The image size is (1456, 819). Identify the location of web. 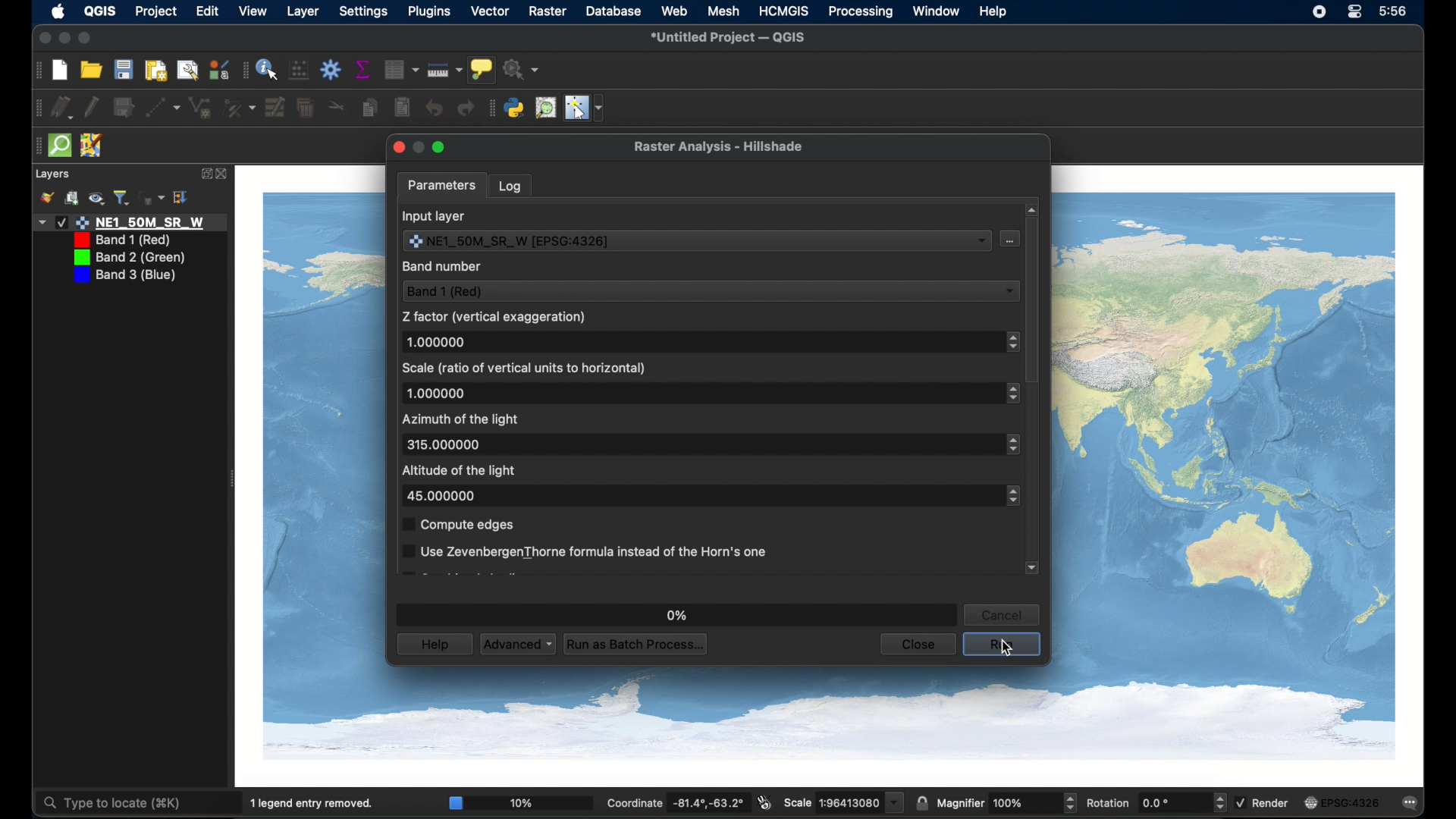
(675, 11).